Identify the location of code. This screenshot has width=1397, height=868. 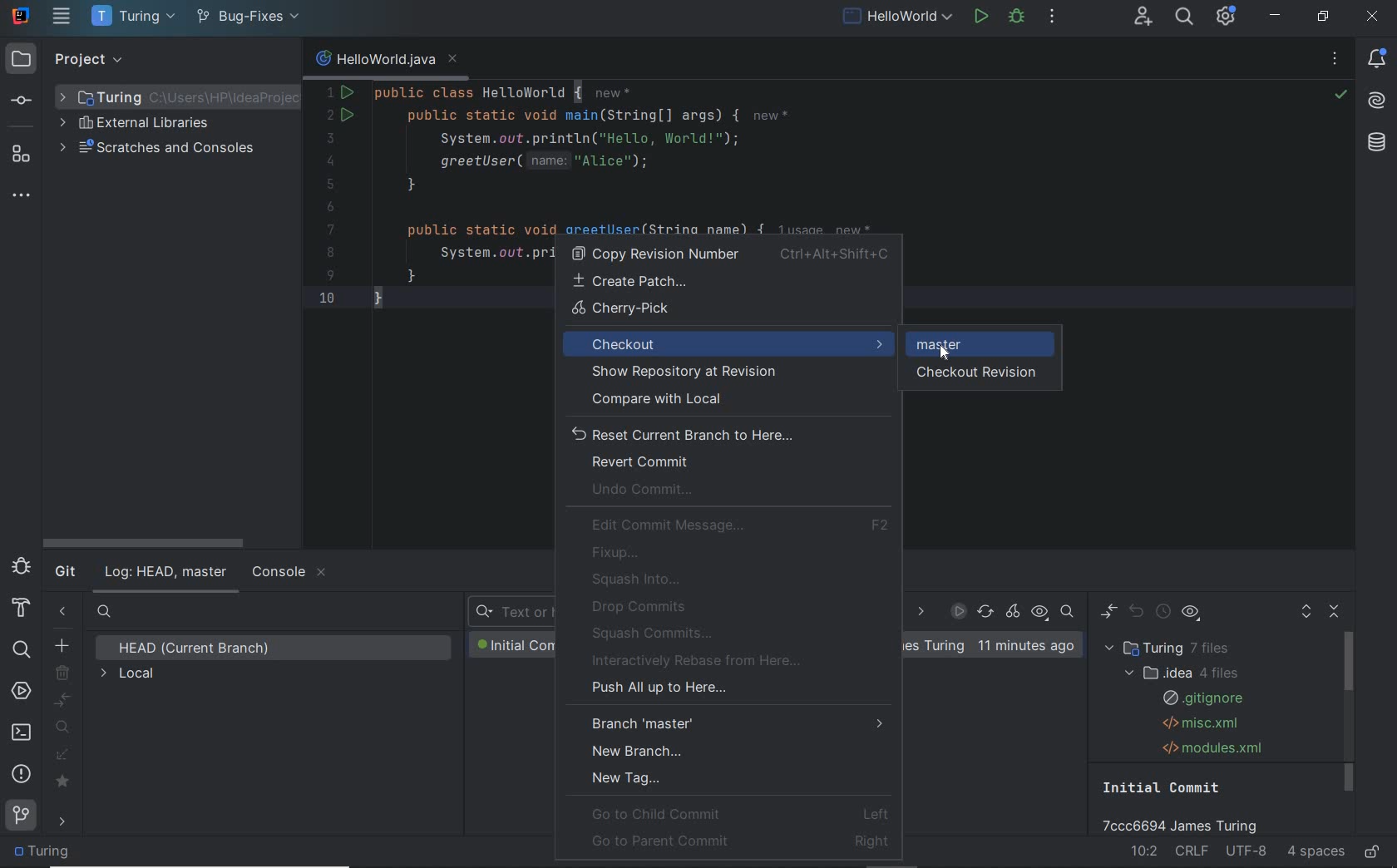
(687, 156).